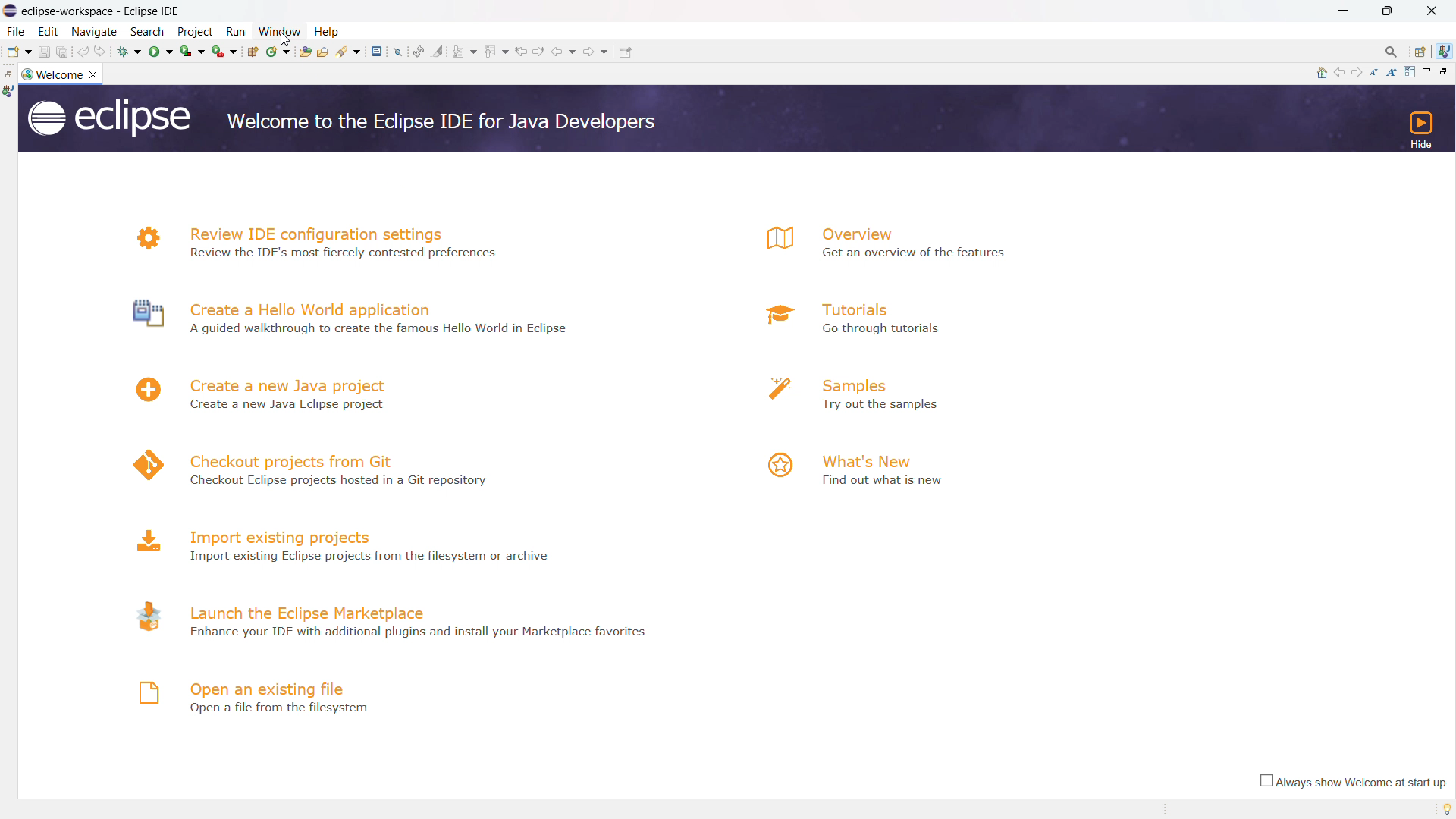 Image resolution: width=1456 pixels, height=819 pixels. What do you see at coordinates (438, 52) in the screenshot?
I see `toggle ant mark occurances` at bounding box center [438, 52].